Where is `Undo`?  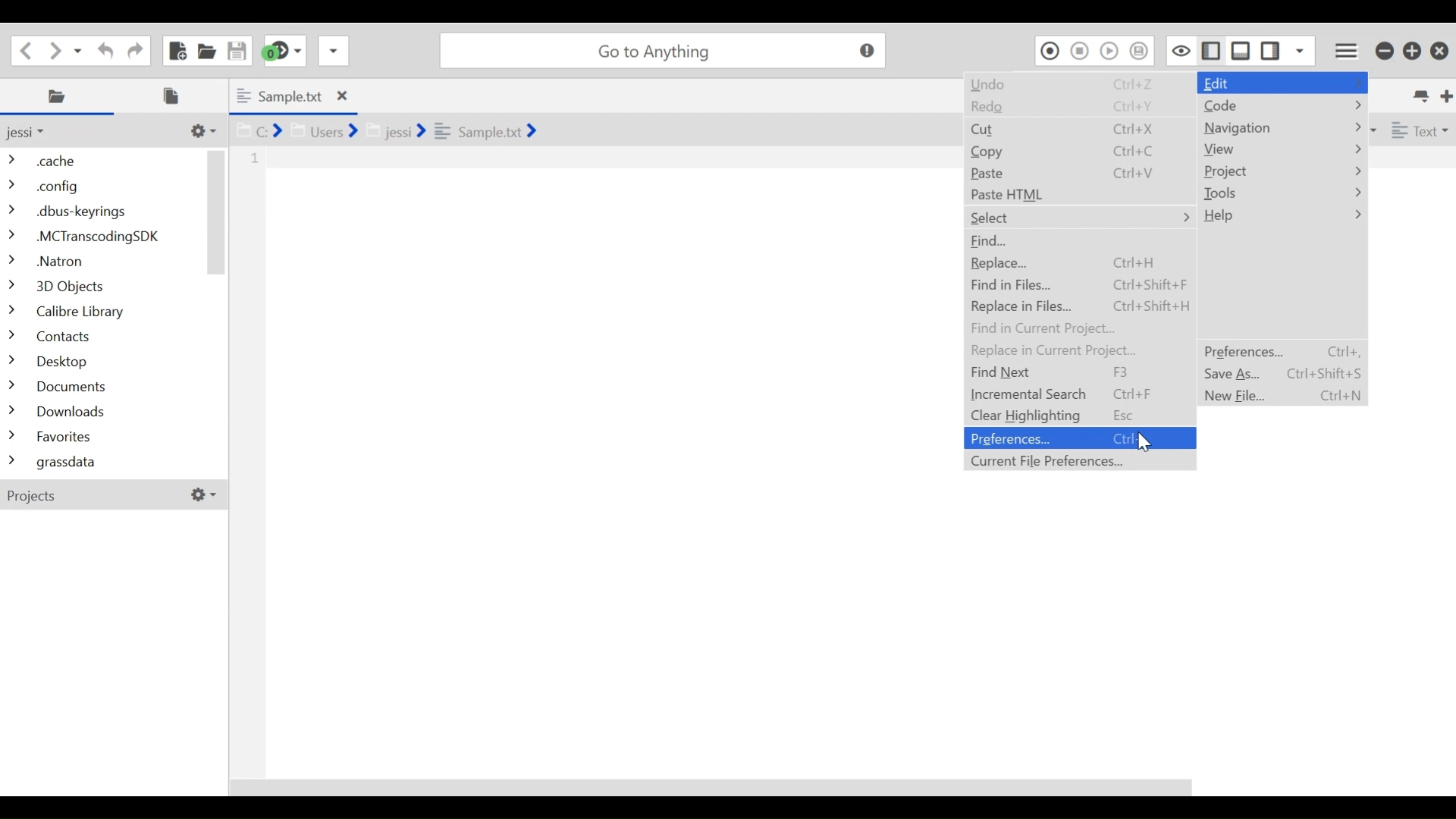 Undo is located at coordinates (1079, 86).